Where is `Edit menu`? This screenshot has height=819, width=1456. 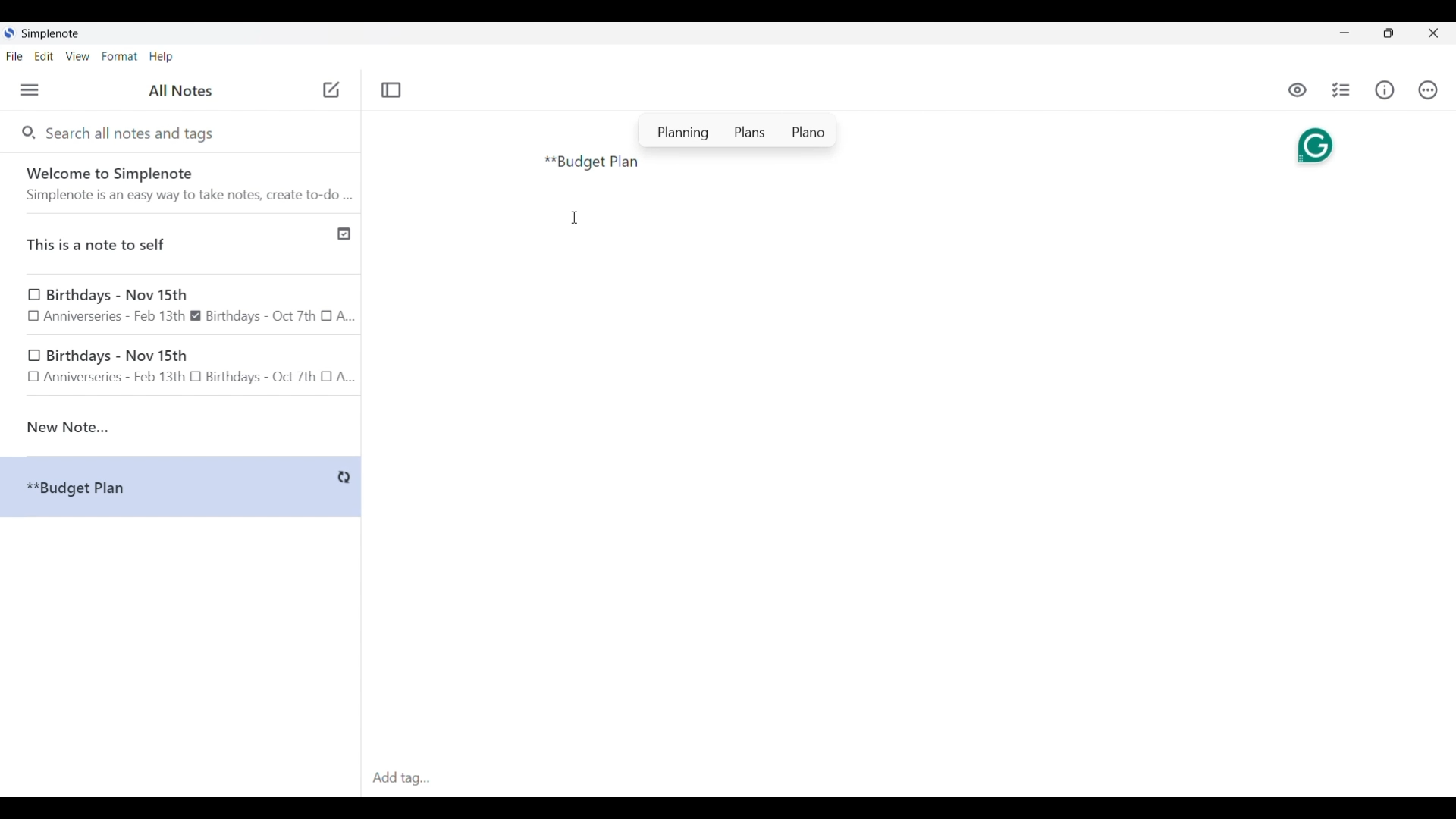
Edit menu is located at coordinates (45, 55).